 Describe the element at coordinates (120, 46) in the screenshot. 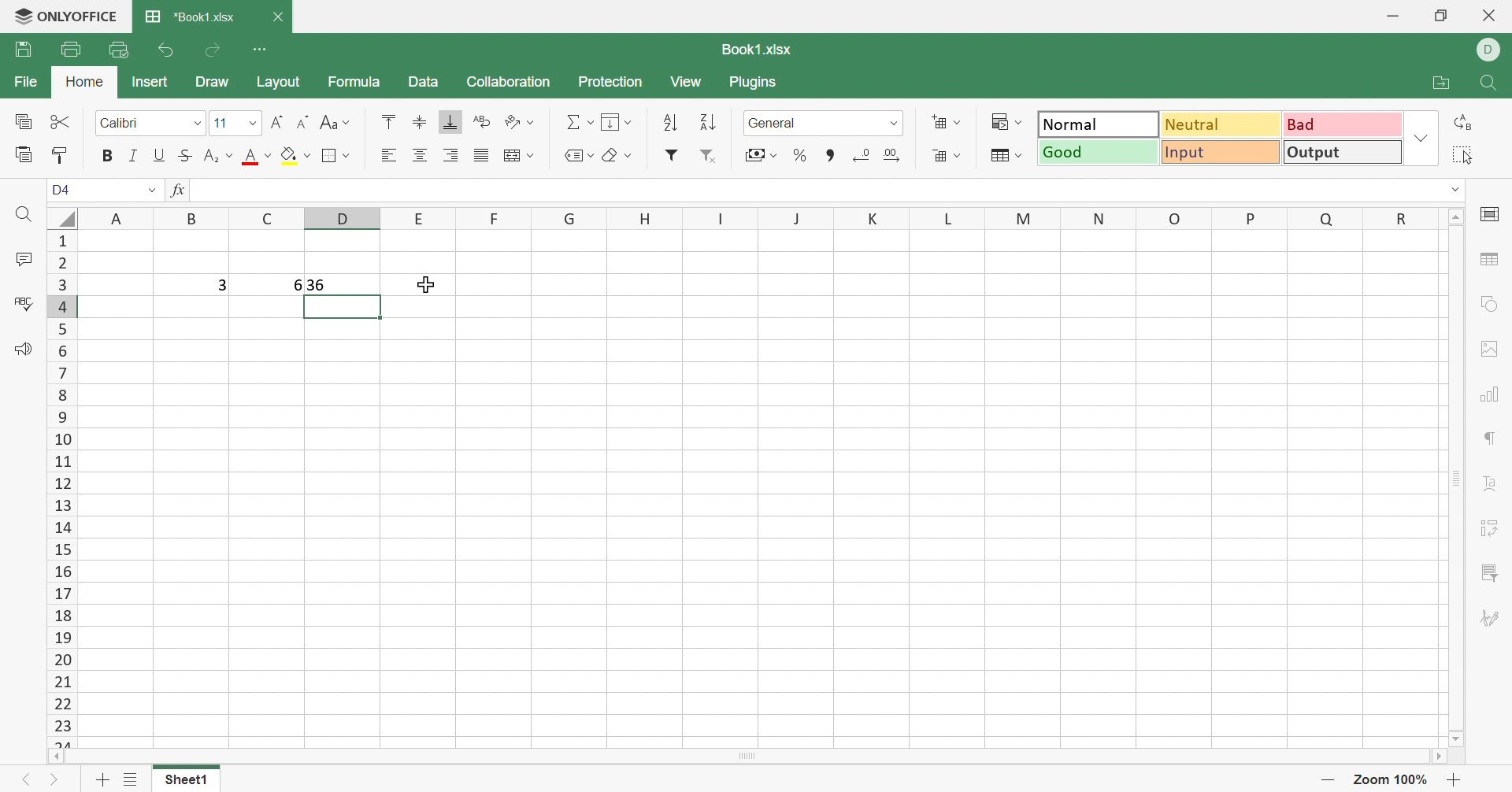

I see `Quick print` at that location.